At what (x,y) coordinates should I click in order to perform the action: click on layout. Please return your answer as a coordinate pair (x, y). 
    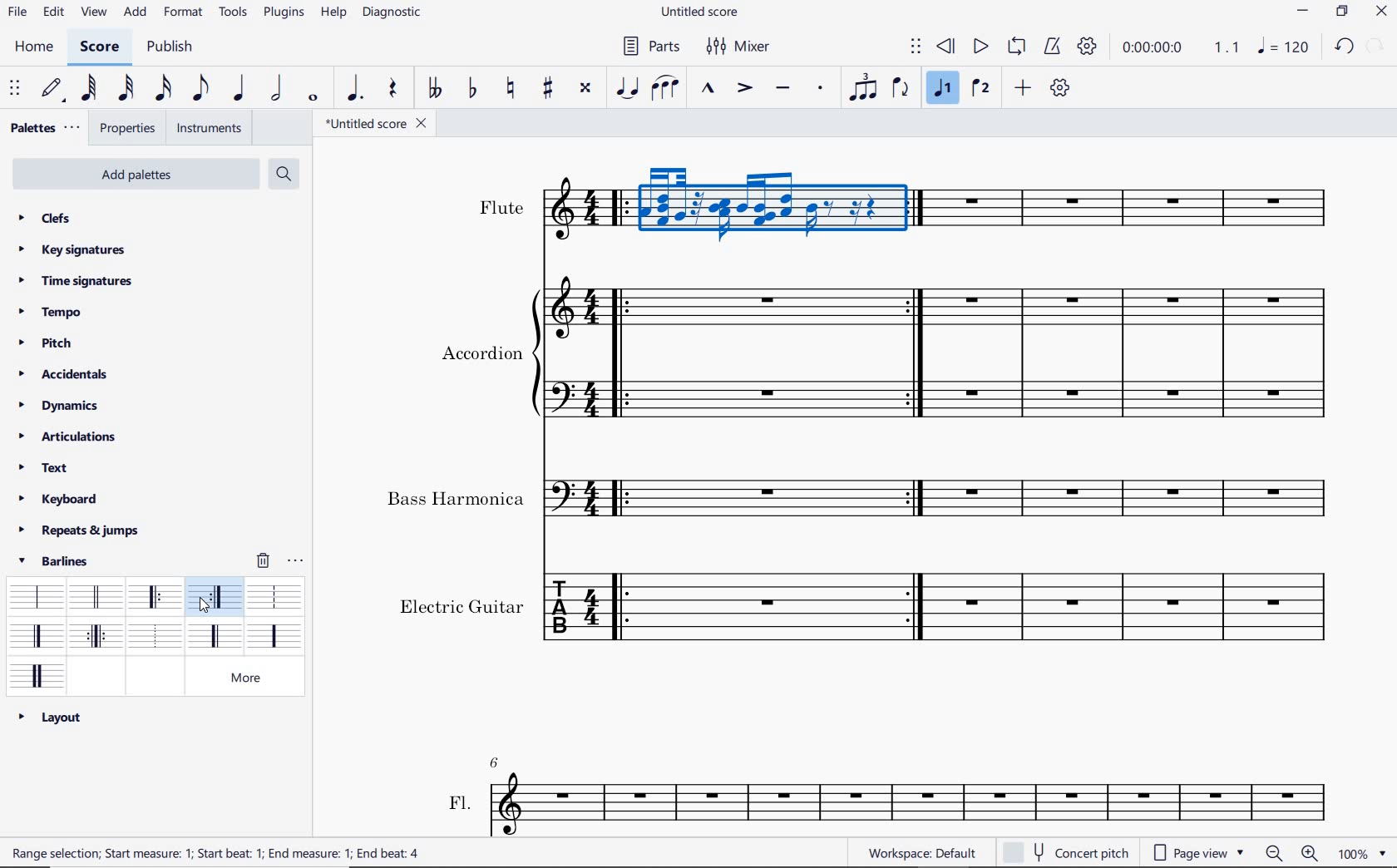
    Looking at the image, I should click on (50, 717).